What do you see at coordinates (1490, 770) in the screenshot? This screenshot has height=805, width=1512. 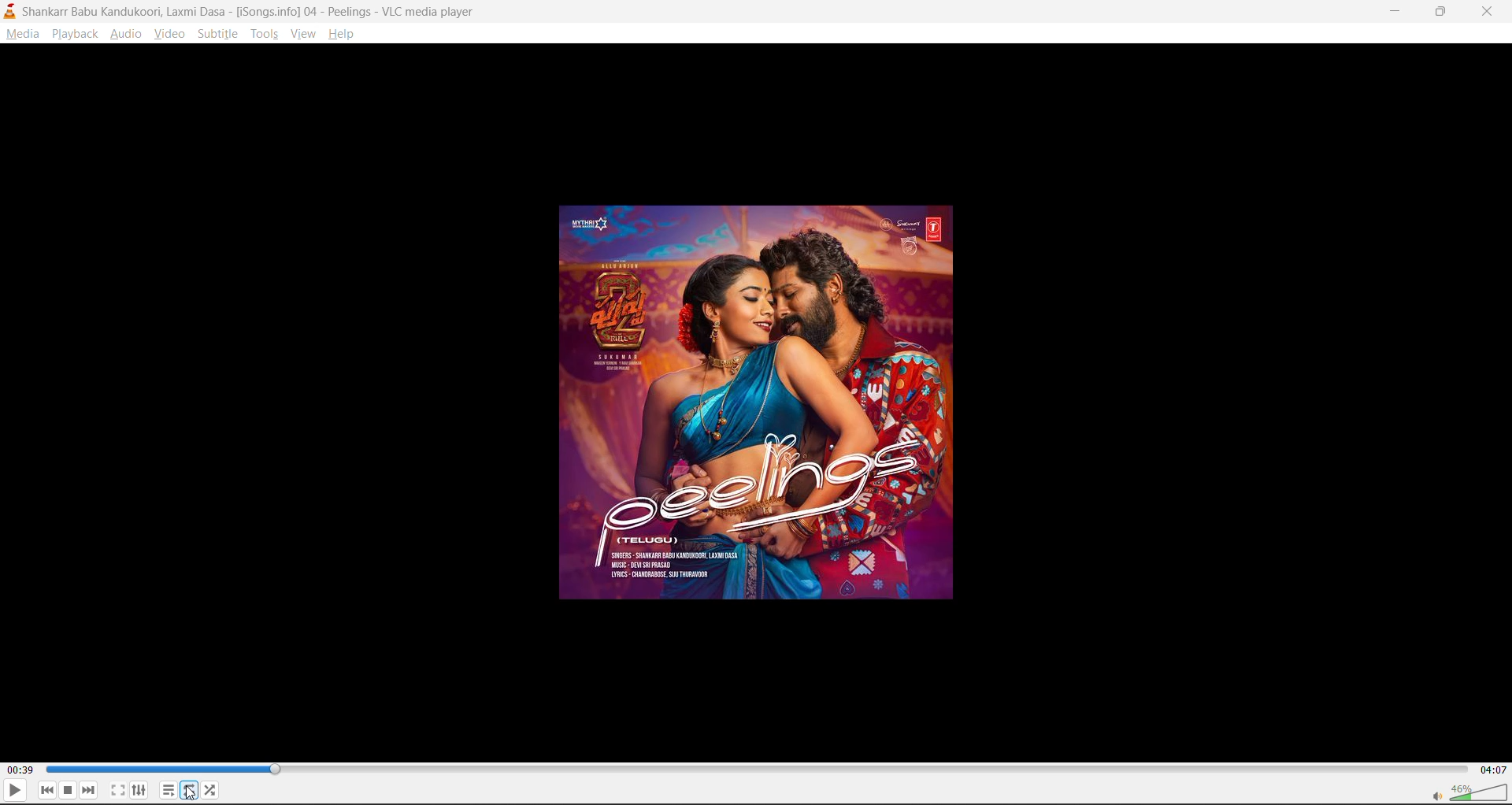 I see `04:07` at bounding box center [1490, 770].